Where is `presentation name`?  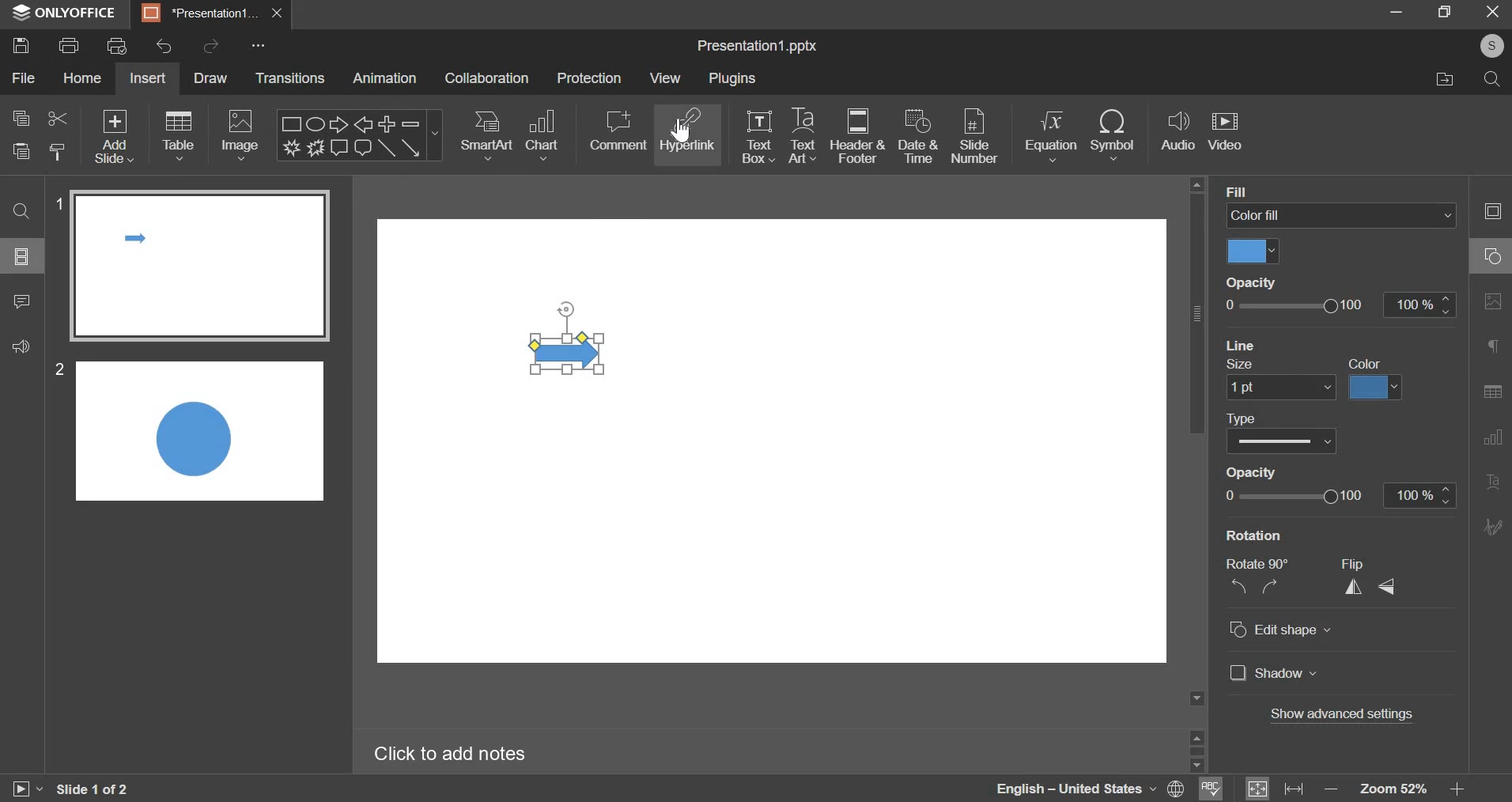 presentation name is located at coordinates (759, 46).